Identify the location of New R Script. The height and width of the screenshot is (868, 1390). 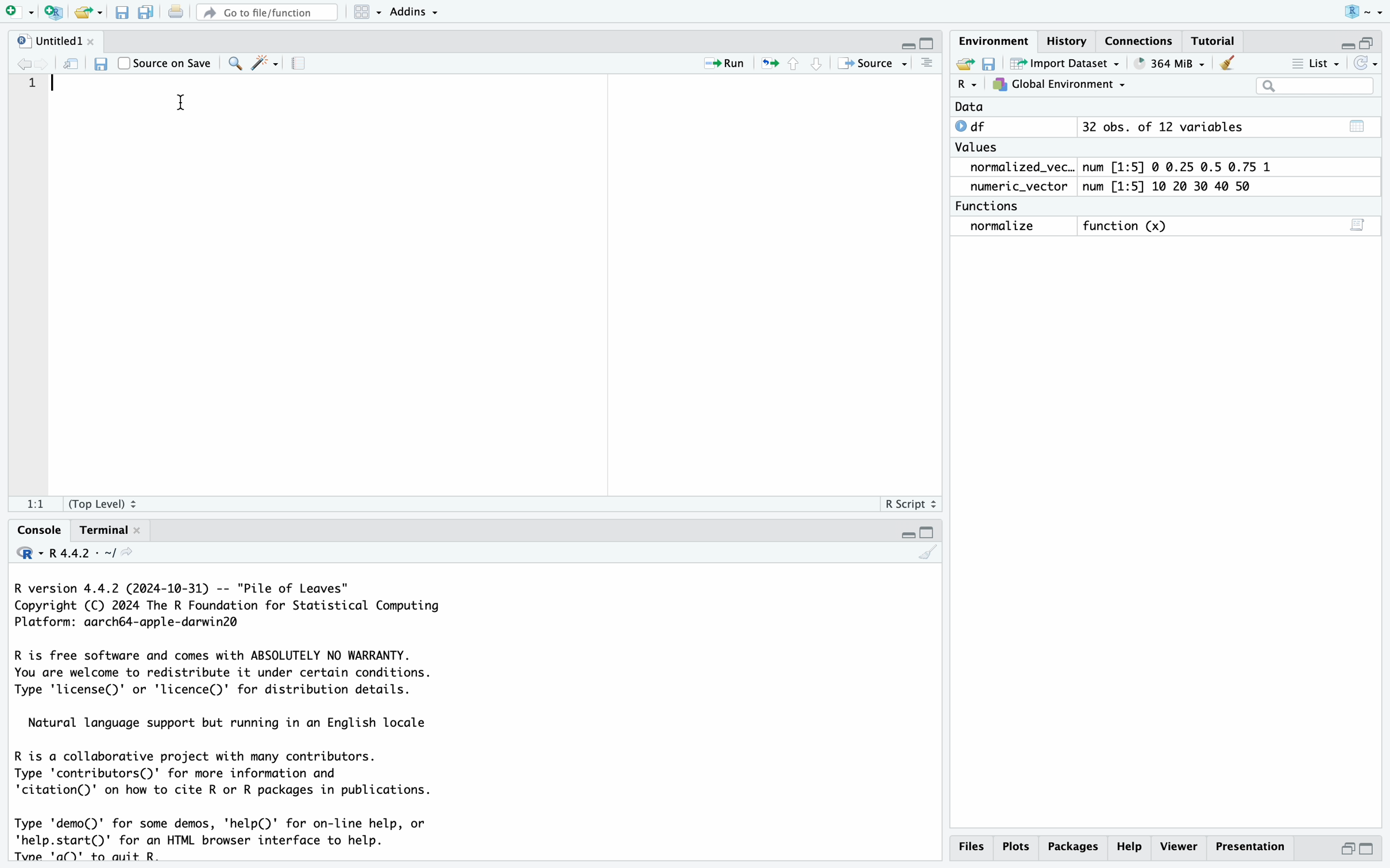
(53, 13).